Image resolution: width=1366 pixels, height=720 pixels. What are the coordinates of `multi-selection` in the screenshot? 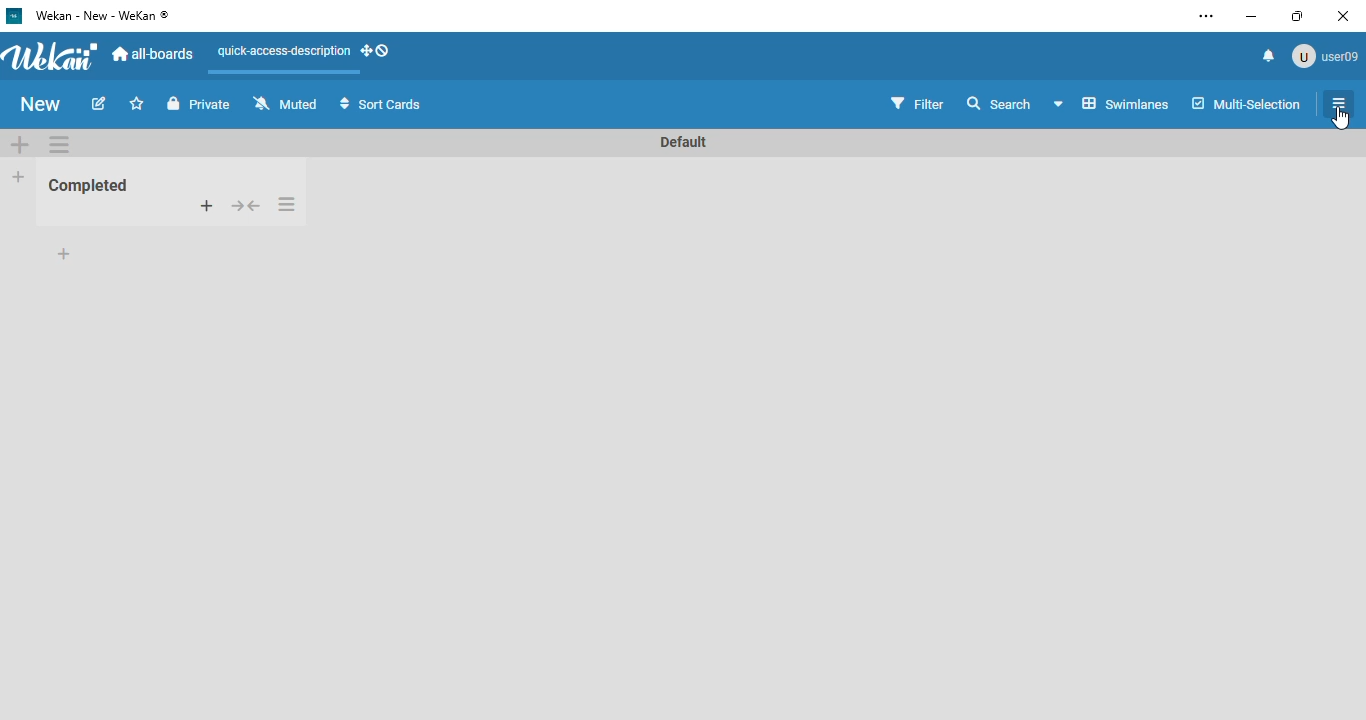 It's located at (1252, 106).